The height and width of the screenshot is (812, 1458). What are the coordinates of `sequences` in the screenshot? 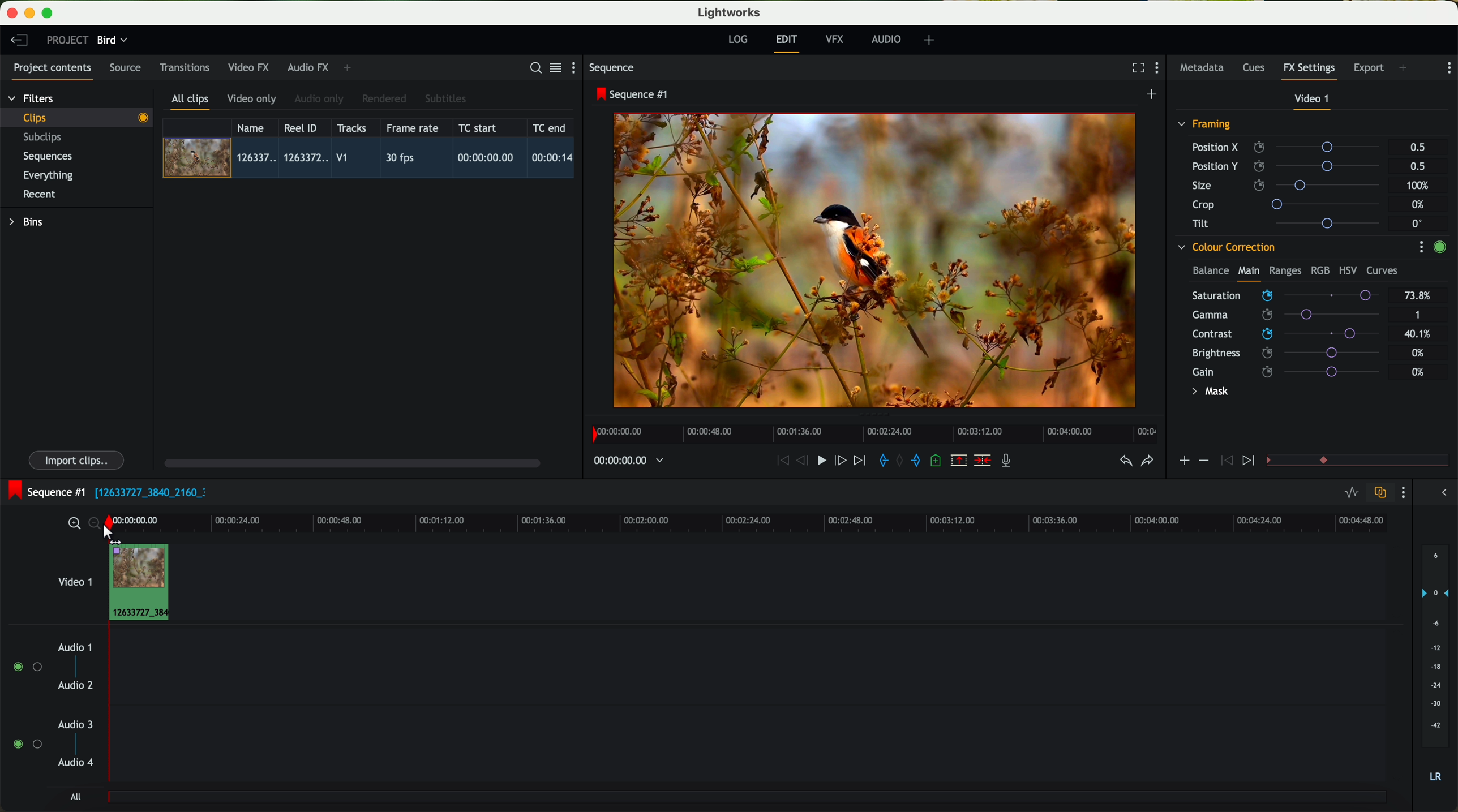 It's located at (48, 157).